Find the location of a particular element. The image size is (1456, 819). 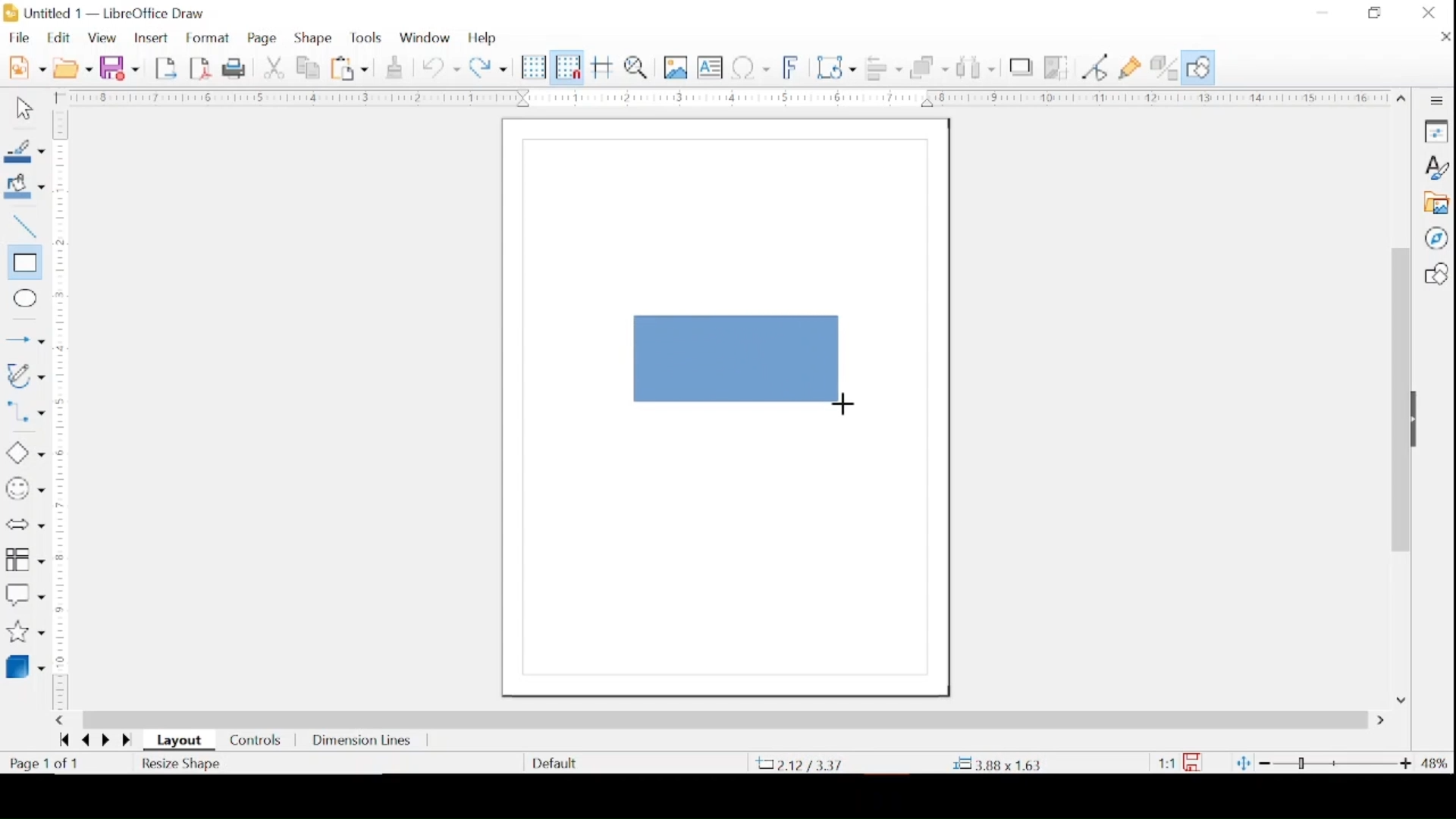

insert image is located at coordinates (677, 67).